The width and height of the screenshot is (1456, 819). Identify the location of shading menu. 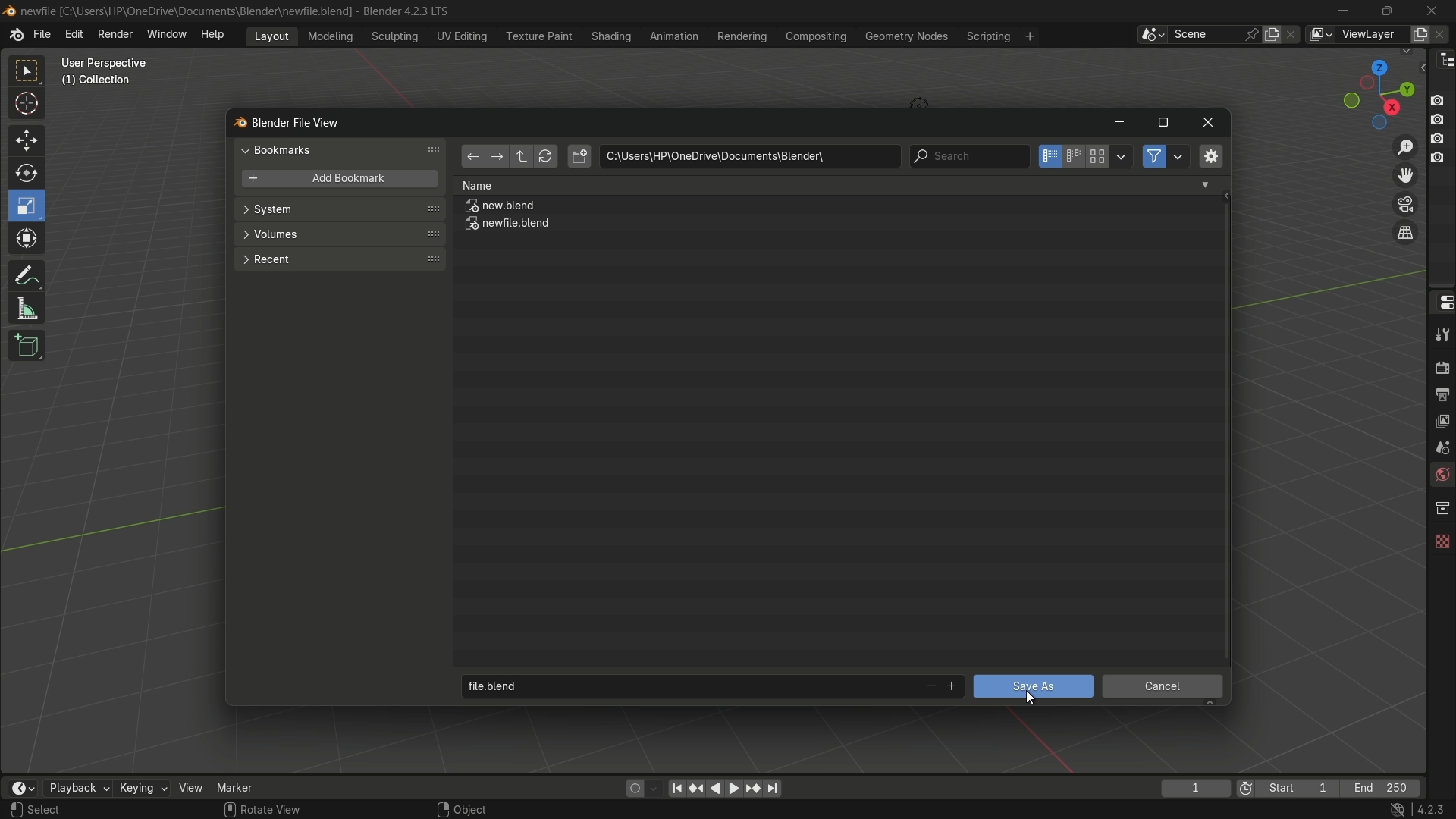
(609, 36).